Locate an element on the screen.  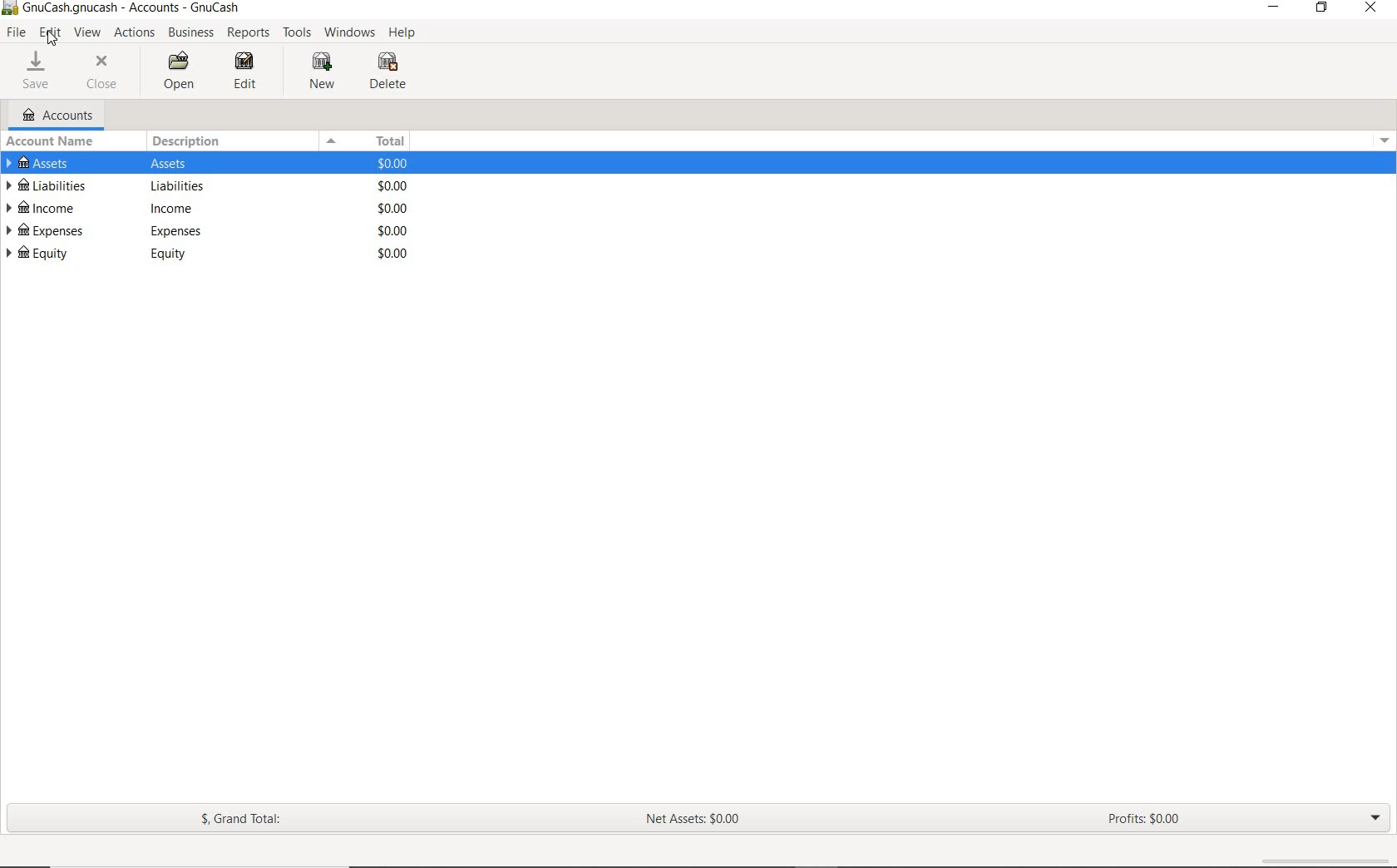
TOOLS is located at coordinates (299, 33).